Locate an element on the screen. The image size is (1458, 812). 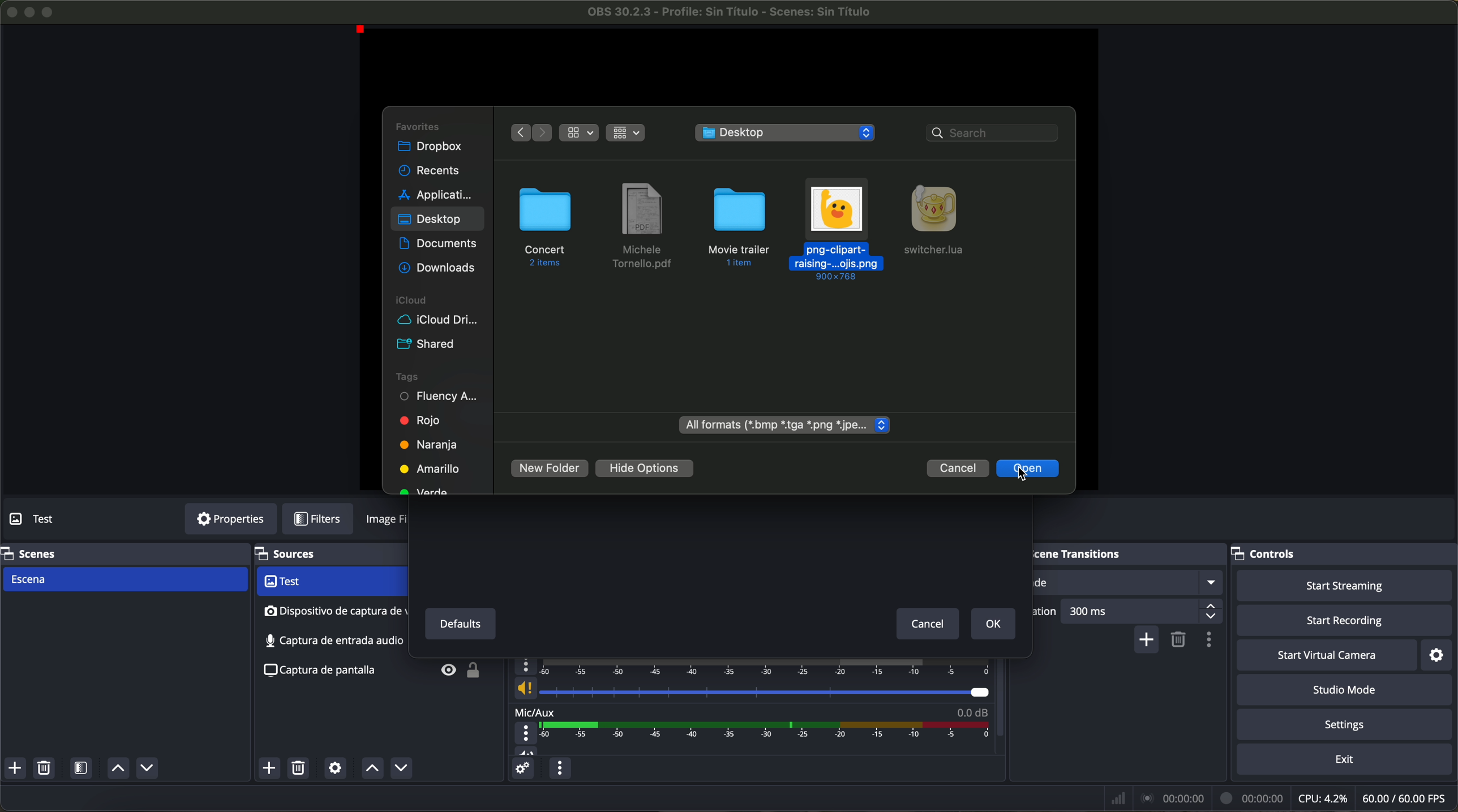
unlock/visible is located at coordinates (456, 672).